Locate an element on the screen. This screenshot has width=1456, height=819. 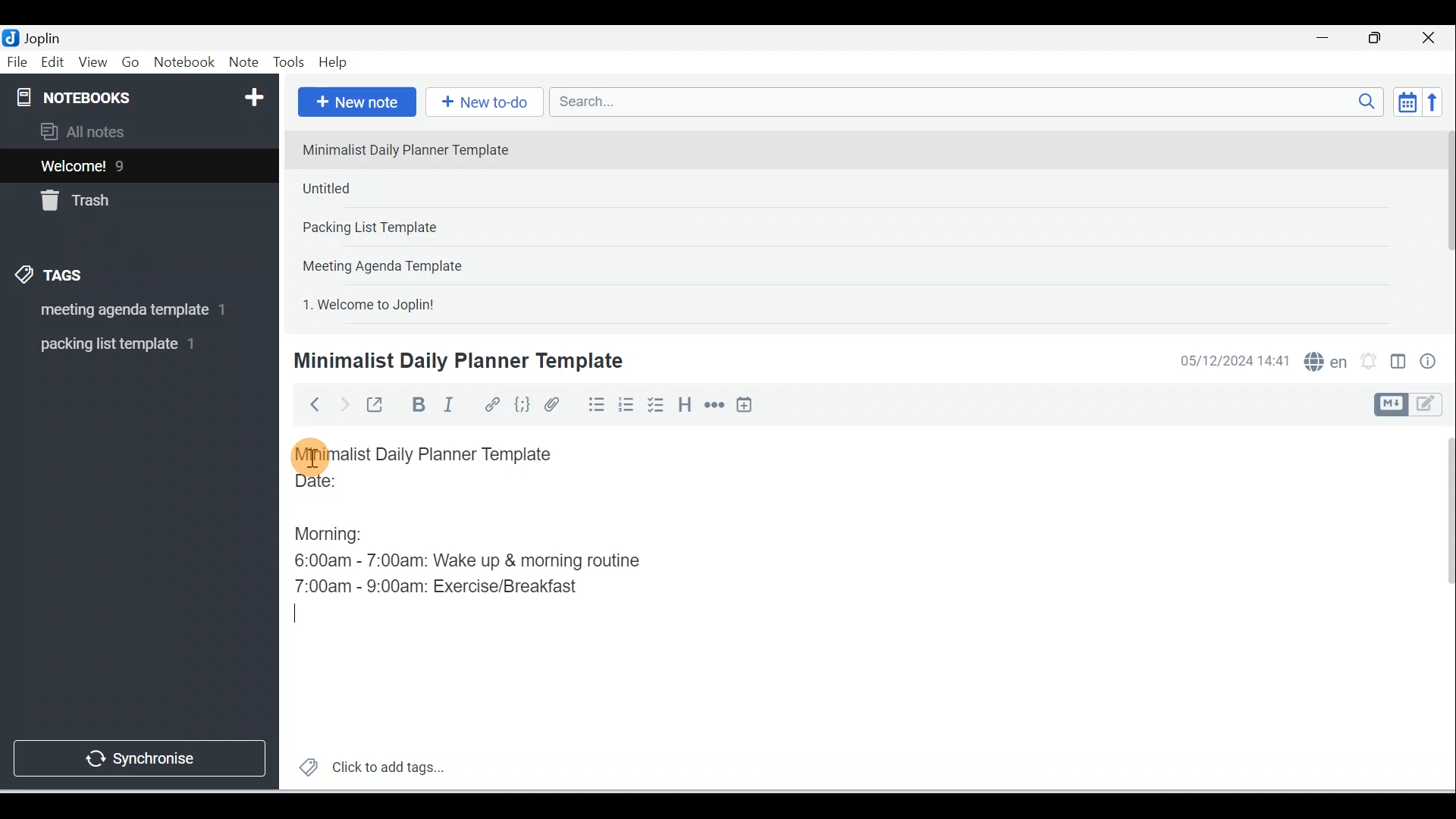
Note is located at coordinates (242, 63).